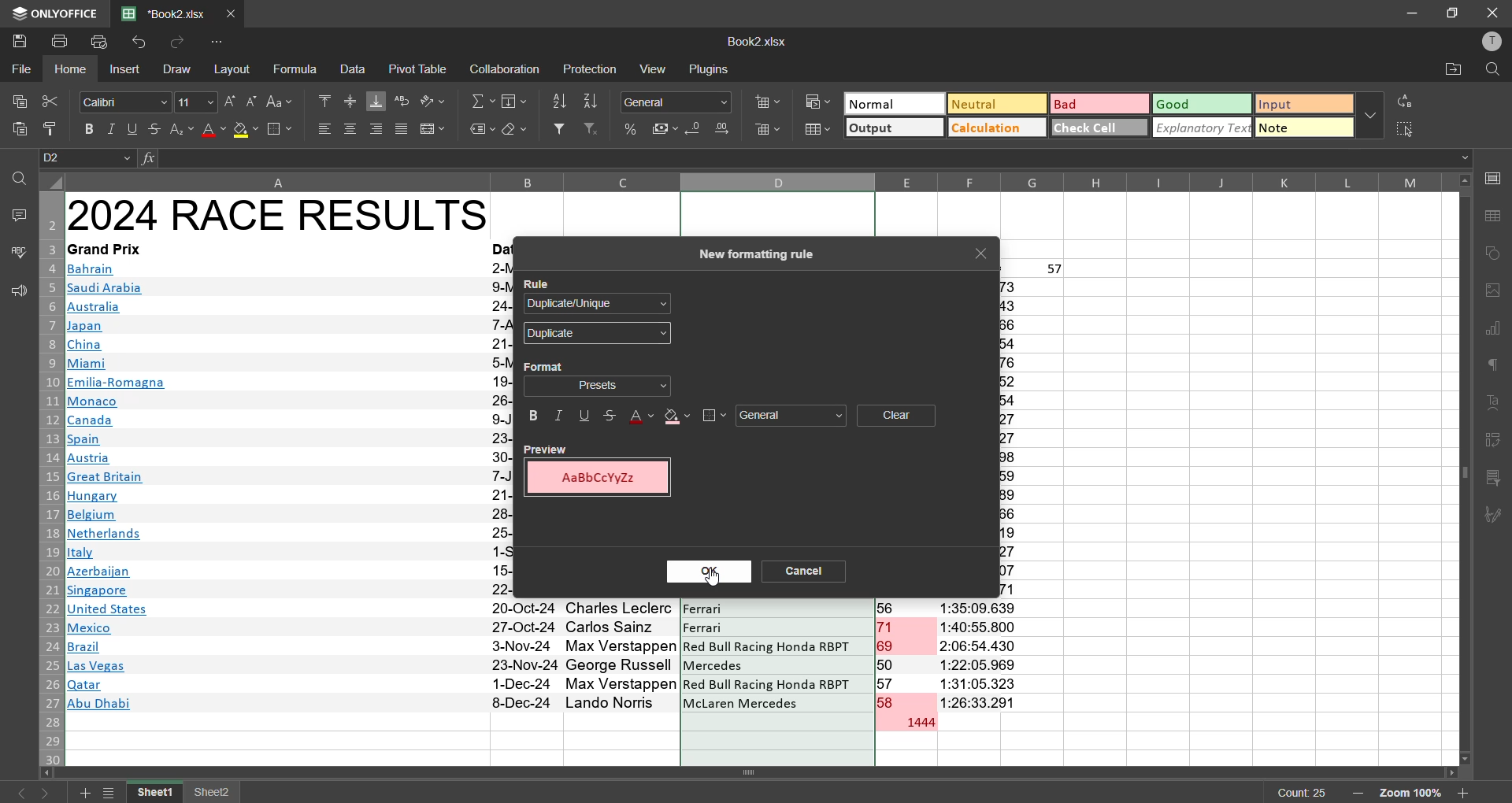 Image resolution: width=1512 pixels, height=803 pixels. What do you see at coordinates (1303, 792) in the screenshot?
I see `count 25` at bounding box center [1303, 792].